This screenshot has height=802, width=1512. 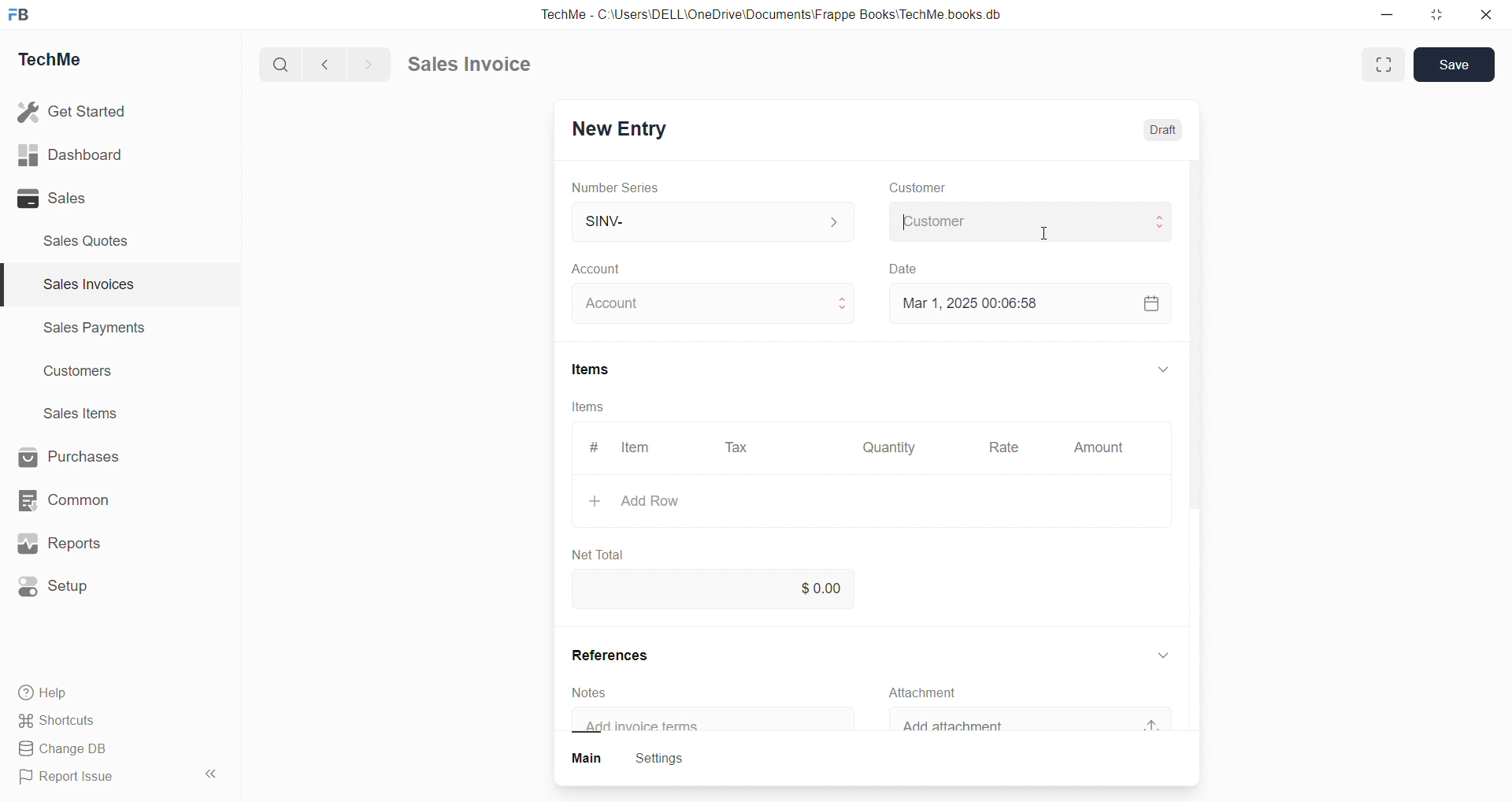 What do you see at coordinates (74, 544) in the screenshot?
I see `ws Reports` at bounding box center [74, 544].